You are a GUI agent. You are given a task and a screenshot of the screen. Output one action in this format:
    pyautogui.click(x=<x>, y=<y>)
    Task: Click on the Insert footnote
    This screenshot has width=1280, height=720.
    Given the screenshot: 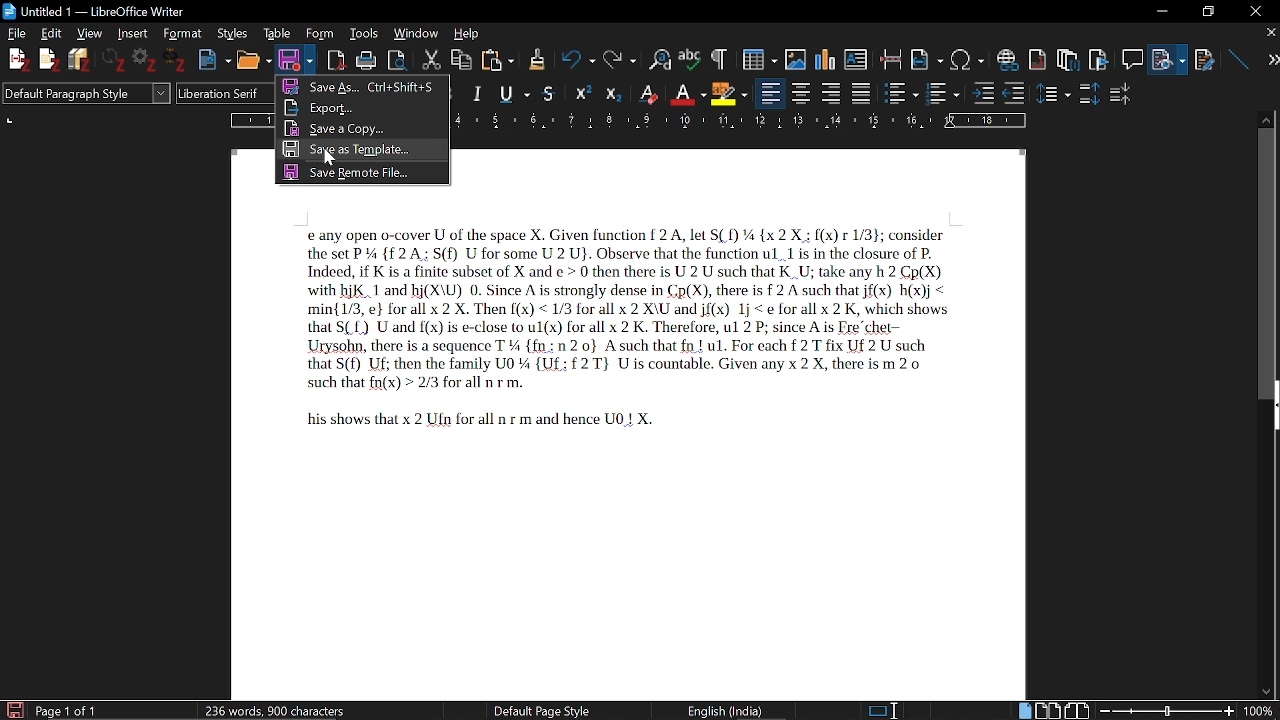 What is the action you would take?
    pyautogui.click(x=1067, y=56)
    